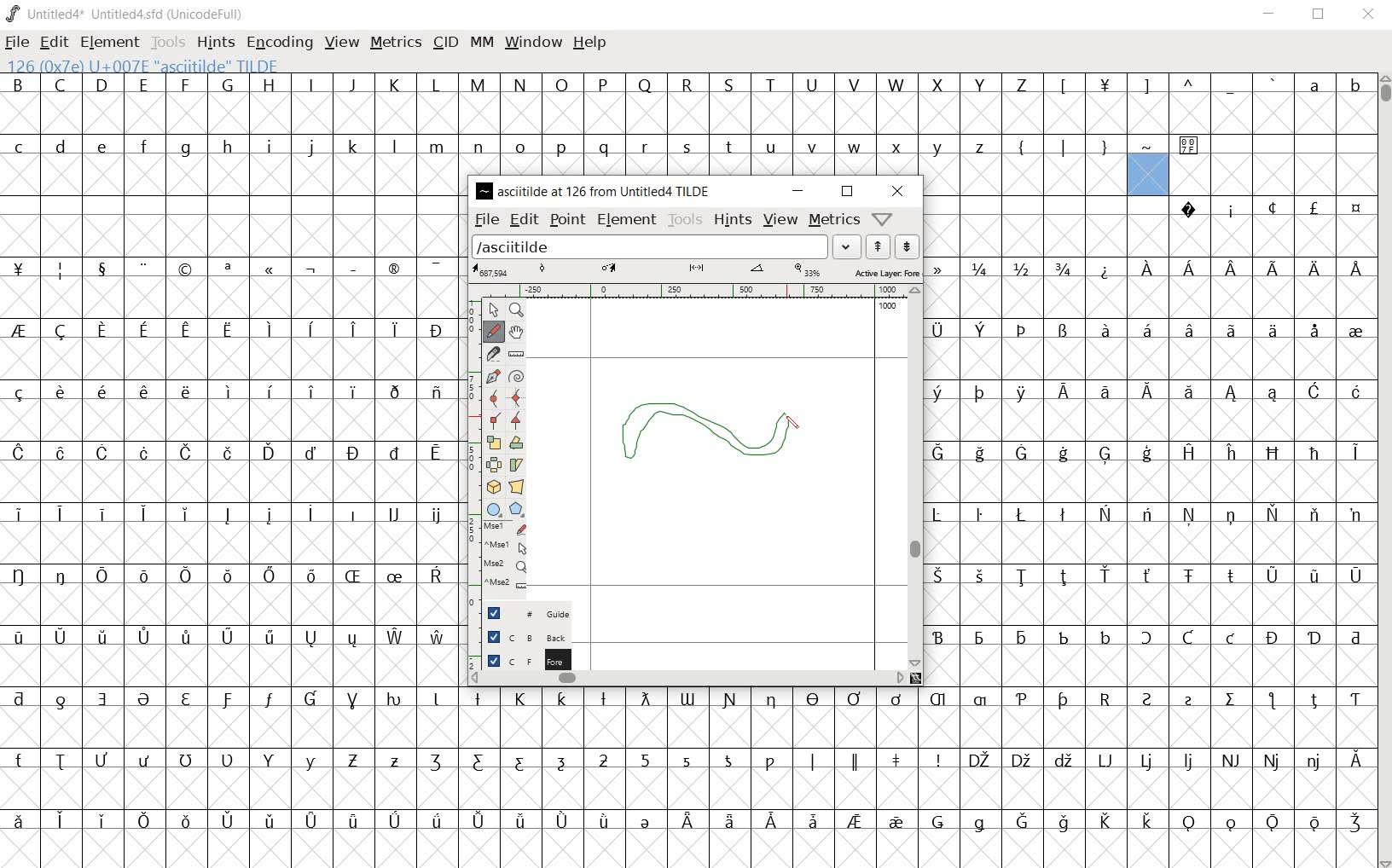 The image size is (1392, 868). I want to click on scroll by hand, so click(517, 333).